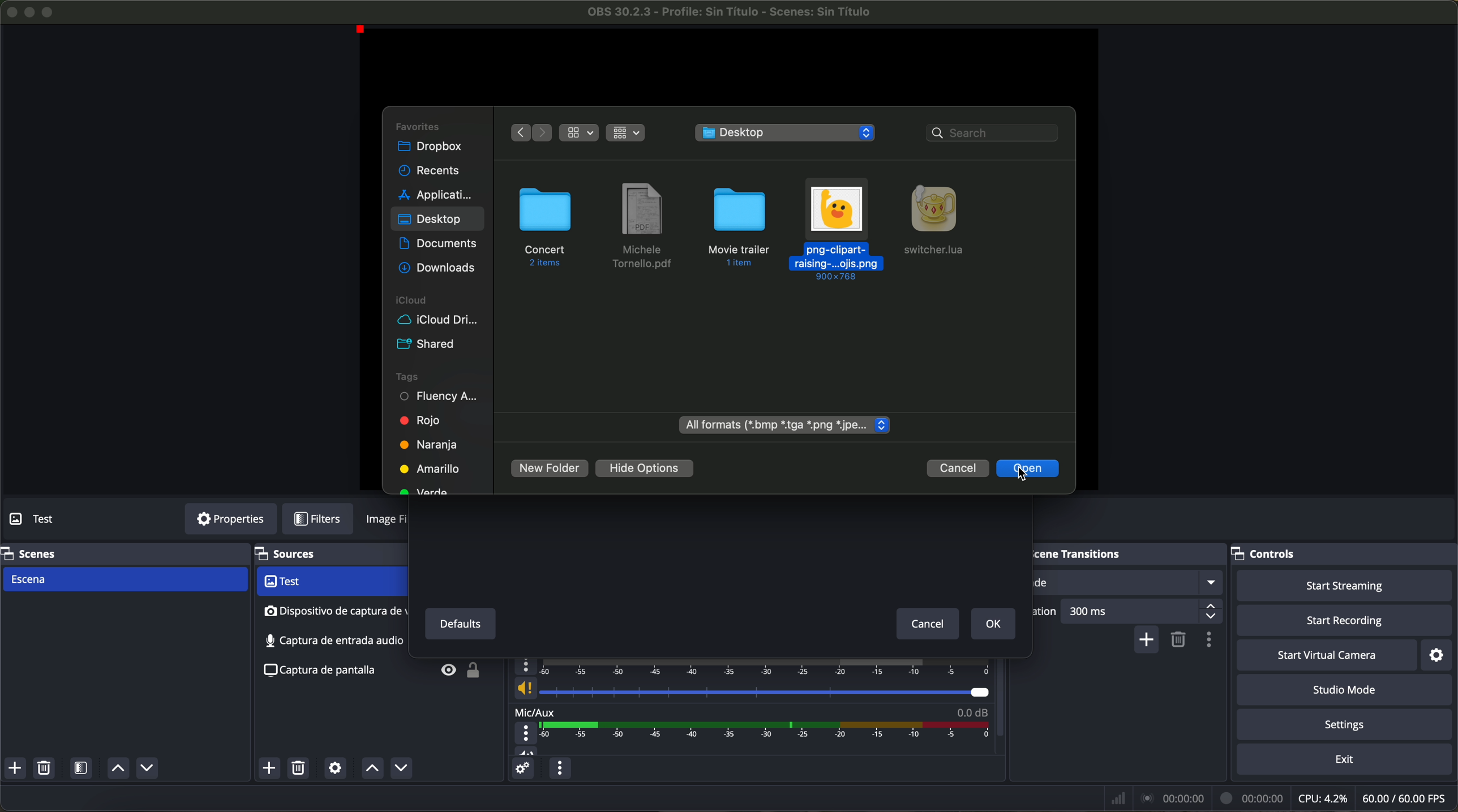  Describe the element at coordinates (59, 518) in the screenshot. I see `no source selected` at that location.